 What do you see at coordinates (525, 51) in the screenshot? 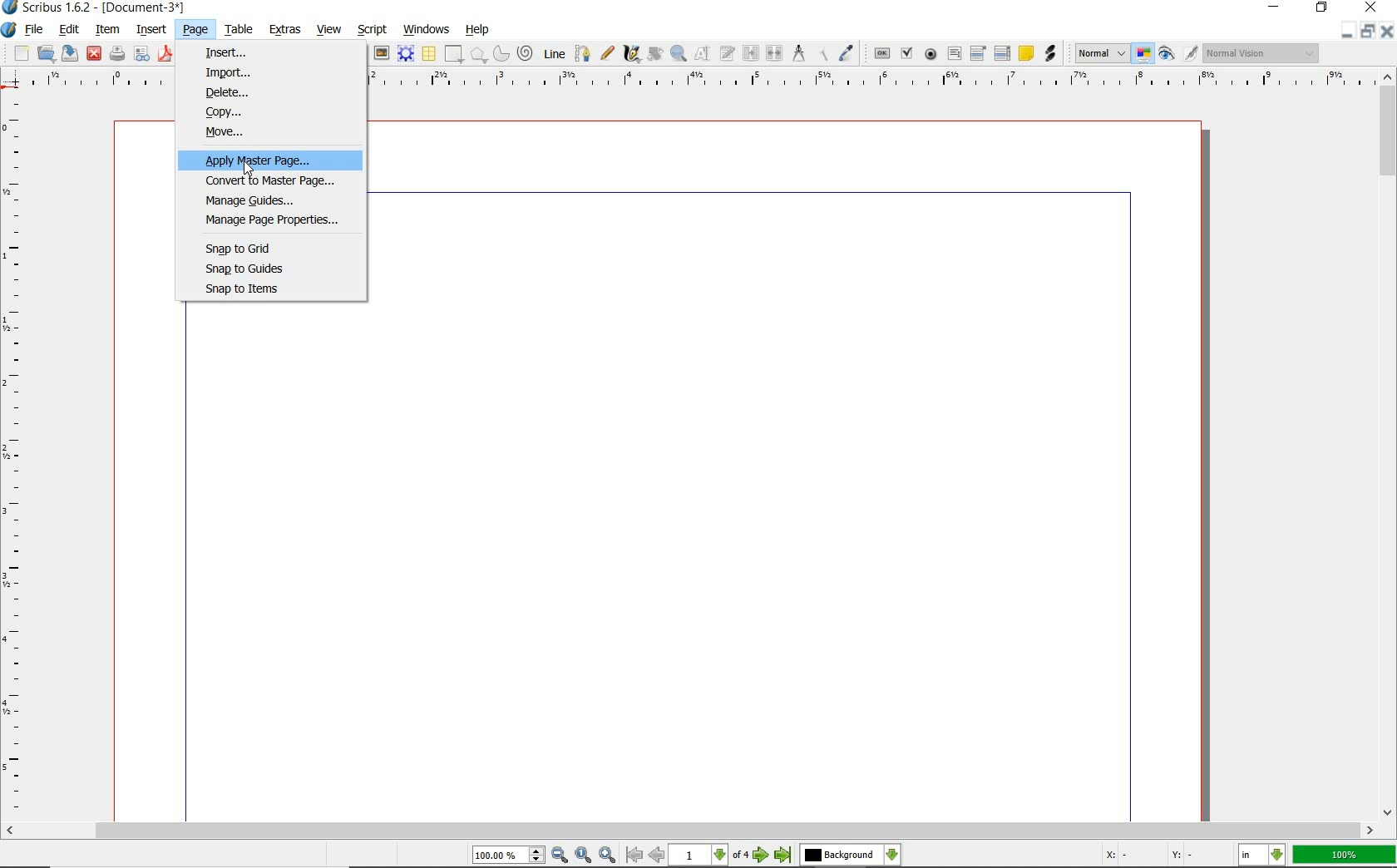
I see `spiral` at bounding box center [525, 51].